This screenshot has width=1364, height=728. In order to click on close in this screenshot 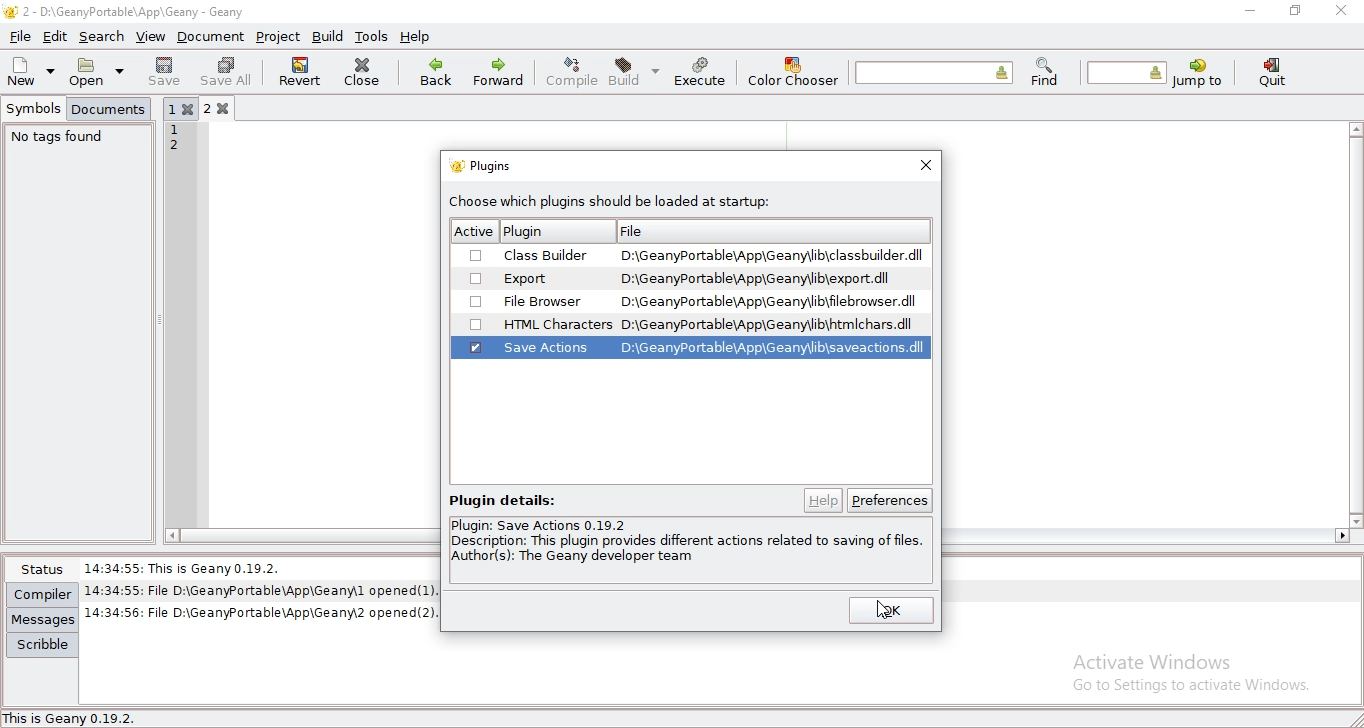, I will do `click(927, 164)`.